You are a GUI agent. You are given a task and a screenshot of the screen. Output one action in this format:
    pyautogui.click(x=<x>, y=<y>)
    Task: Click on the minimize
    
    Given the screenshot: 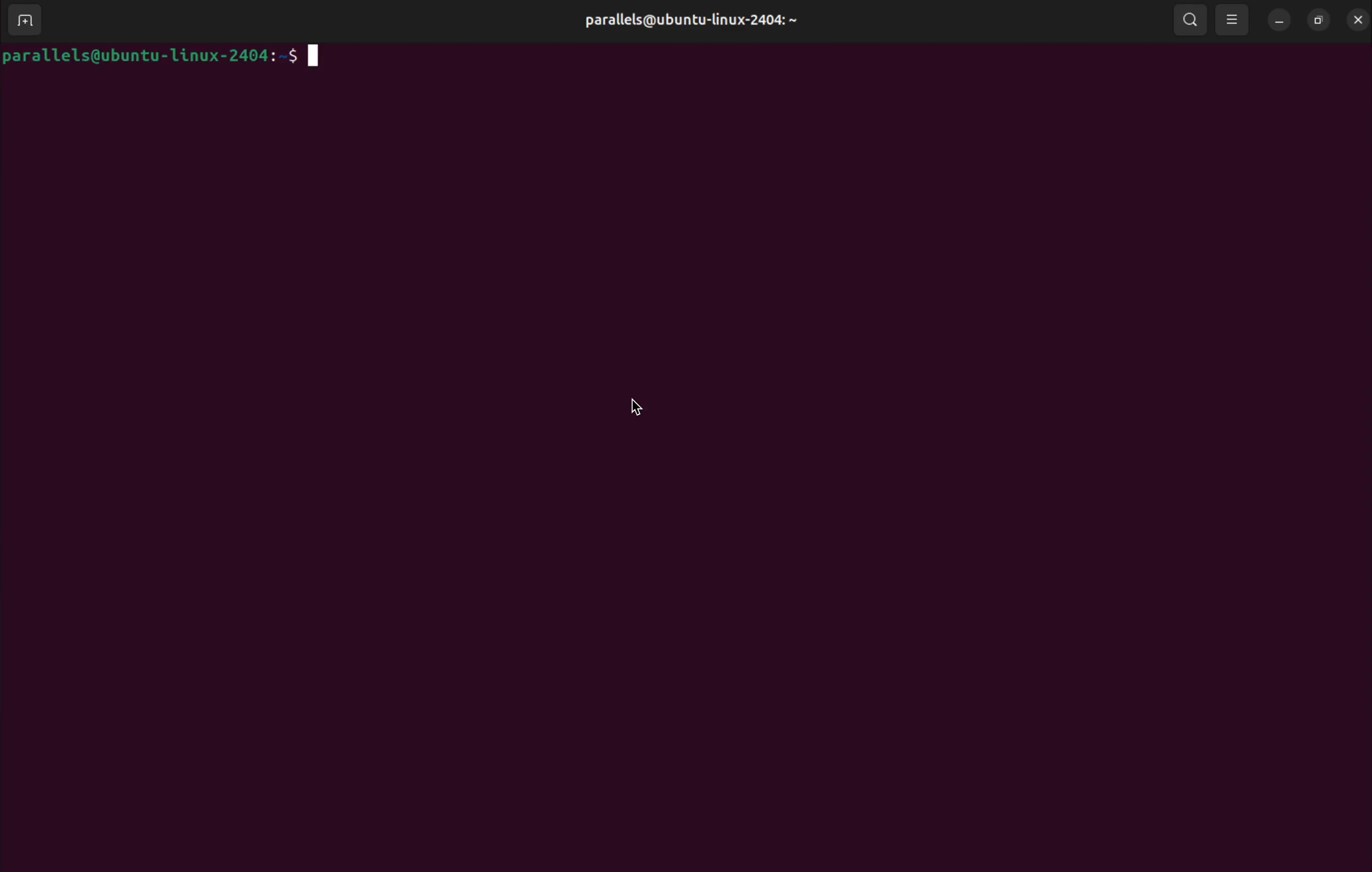 What is the action you would take?
    pyautogui.click(x=1277, y=21)
    